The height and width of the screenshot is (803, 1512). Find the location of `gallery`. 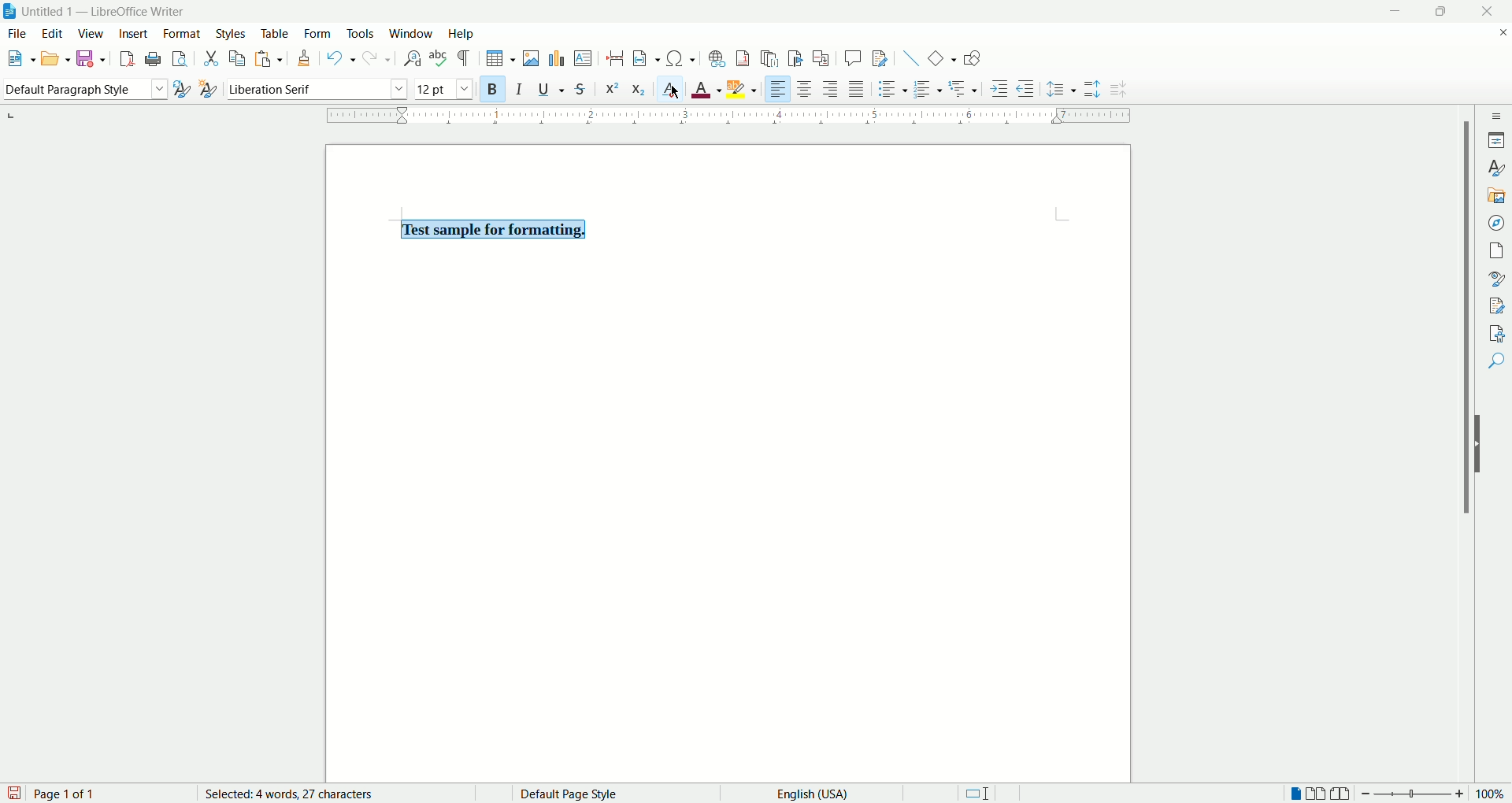

gallery is located at coordinates (1497, 196).